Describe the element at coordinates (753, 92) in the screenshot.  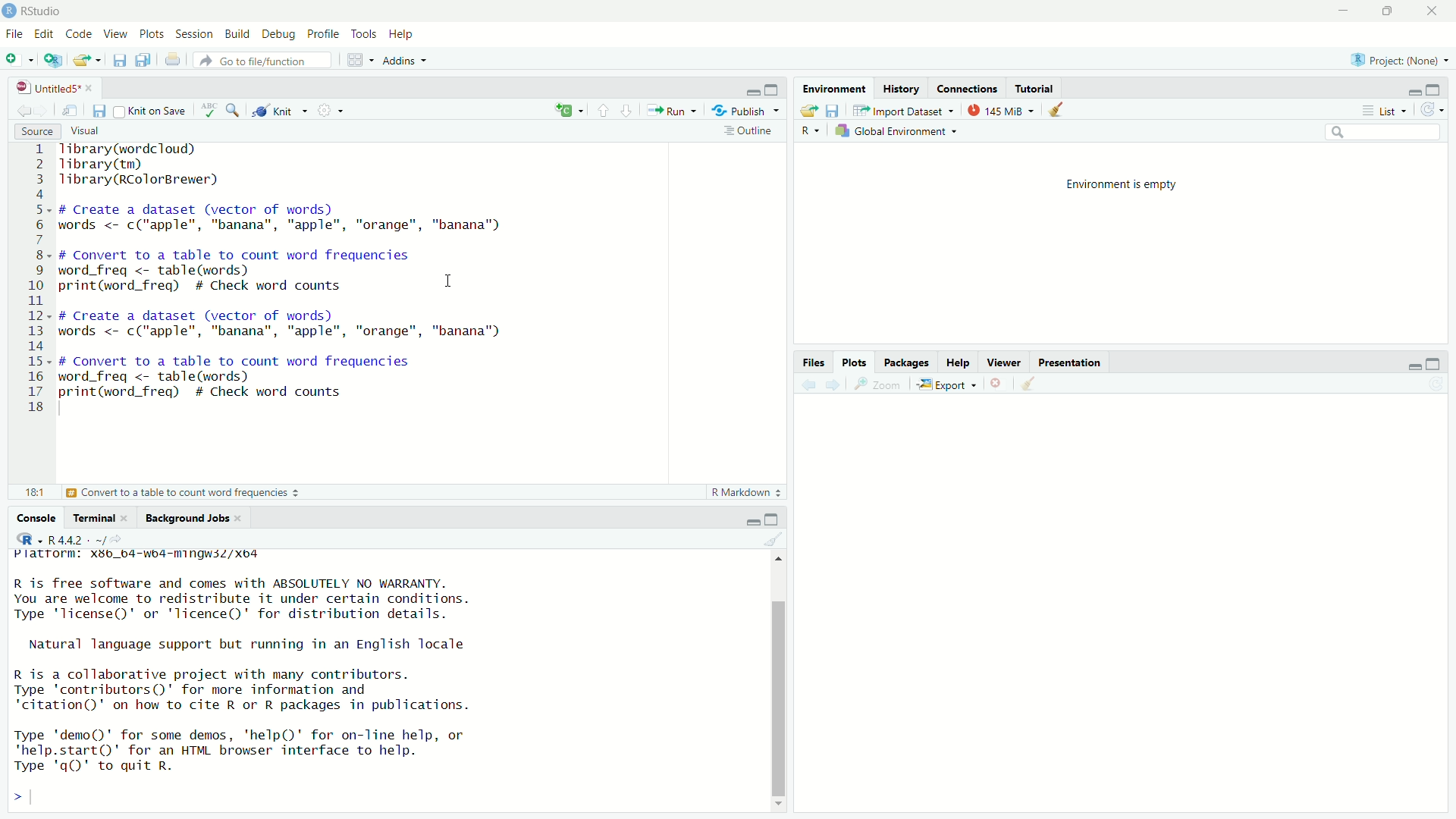
I see `minimize` at that location.